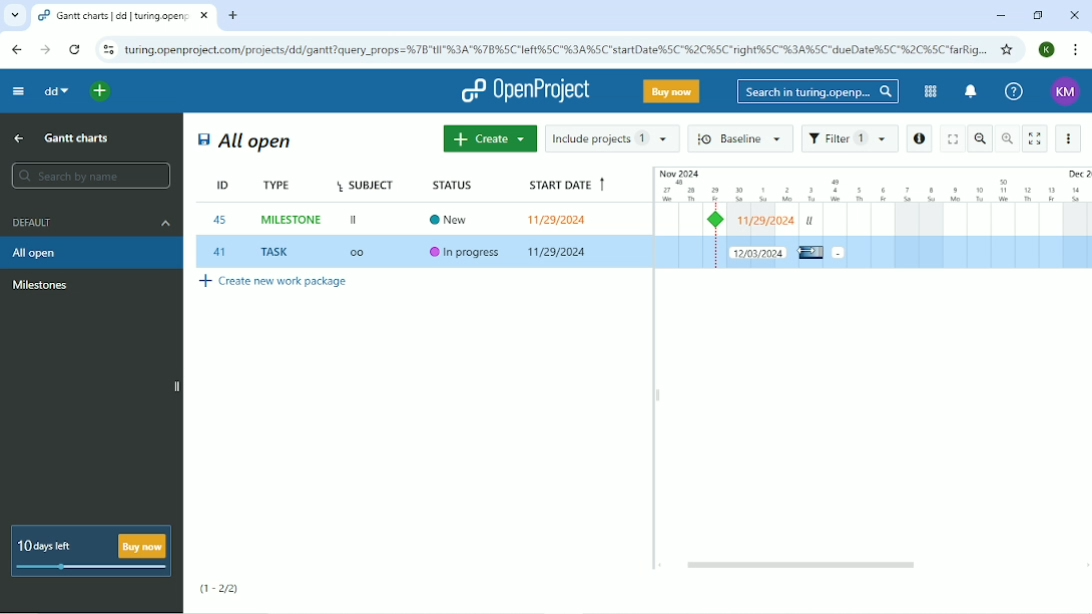 The image size is (1092, 614). I want to click on Up, so click(18, 140).